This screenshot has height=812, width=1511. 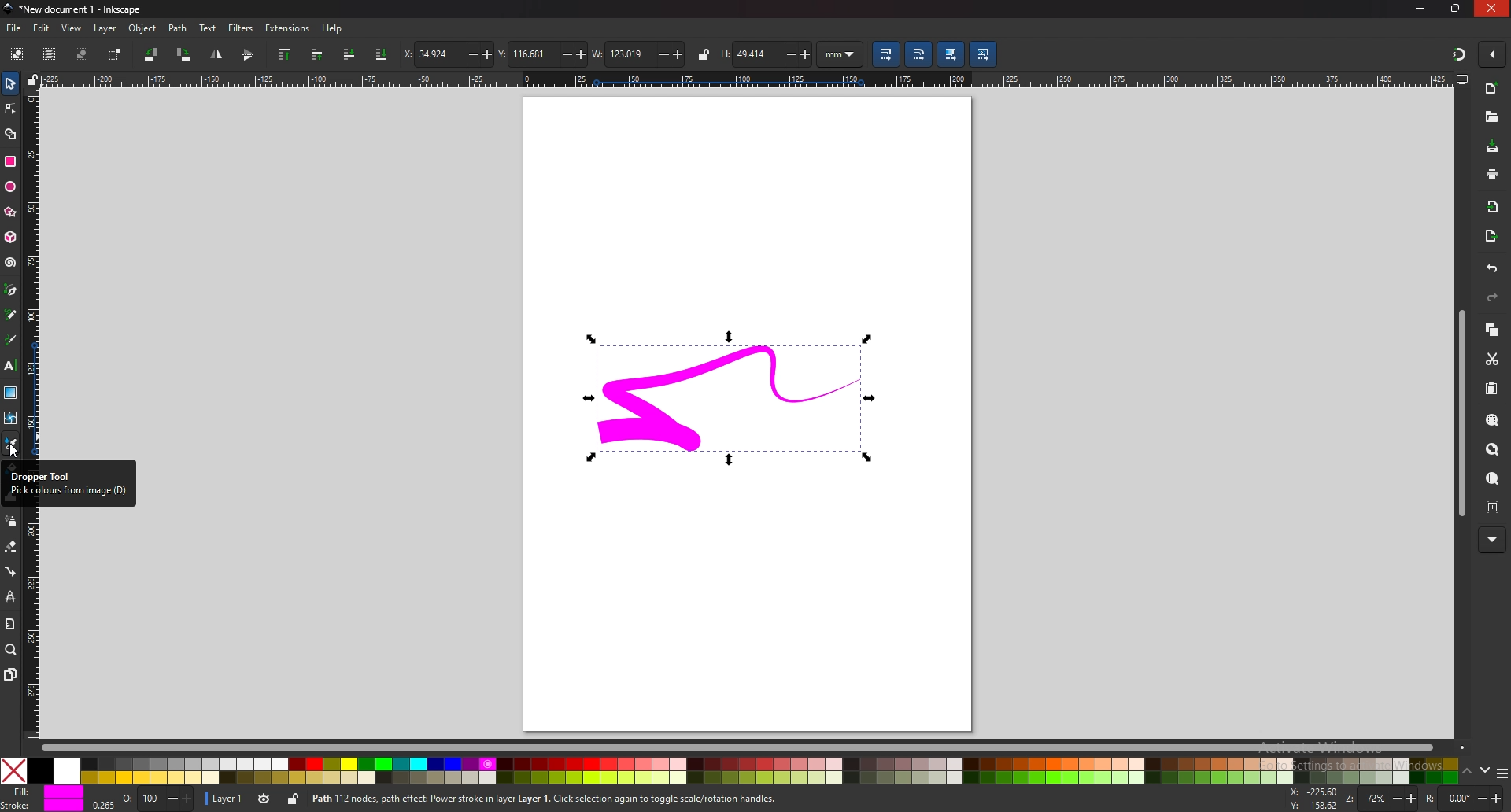 I want to click on calligraphy, so click(x=10, y=339).